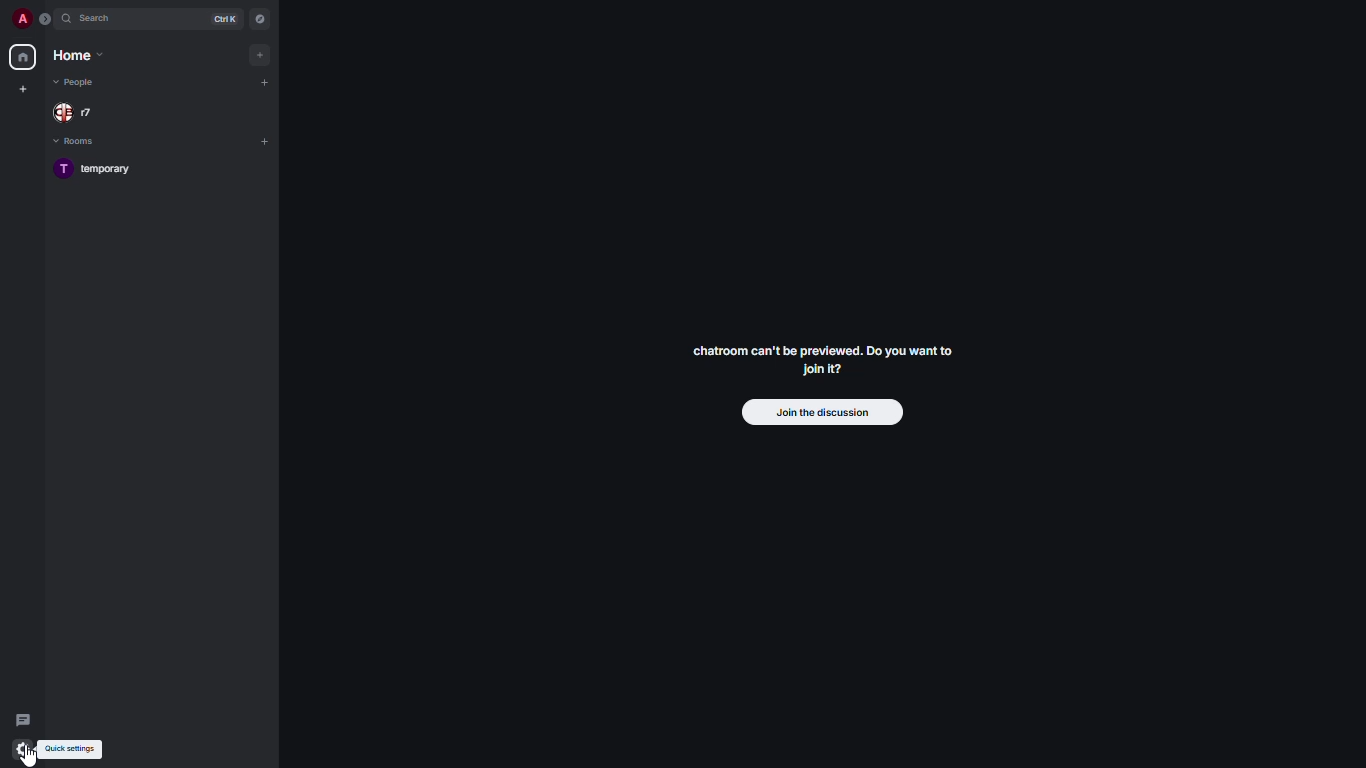 This screenshot has width=1366, height=768. Describe the element at coordinates (79, 142) in the screenshot. I see `rooms` at that location.